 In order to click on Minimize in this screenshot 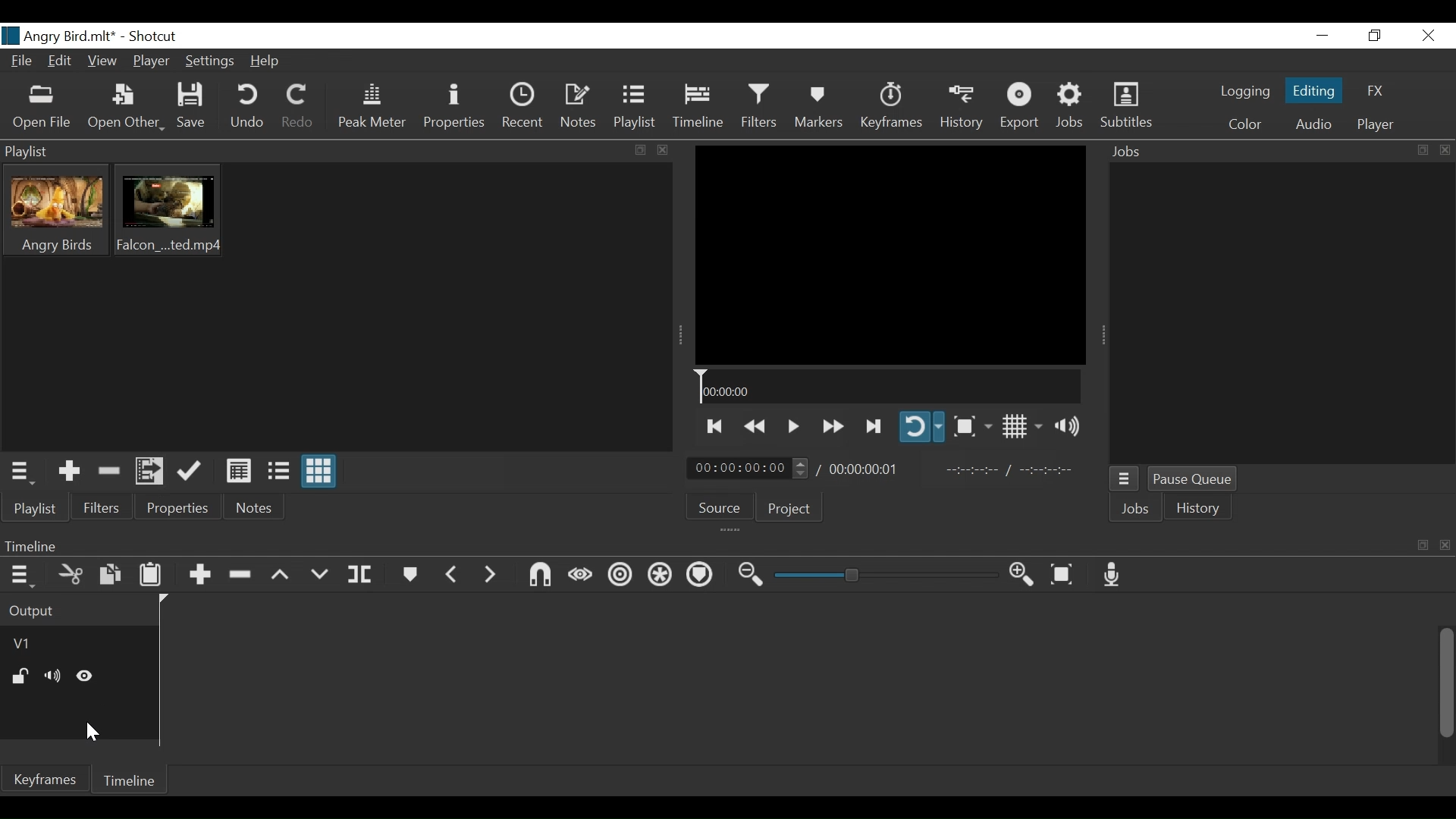, I will do `click(1323, 35)`.